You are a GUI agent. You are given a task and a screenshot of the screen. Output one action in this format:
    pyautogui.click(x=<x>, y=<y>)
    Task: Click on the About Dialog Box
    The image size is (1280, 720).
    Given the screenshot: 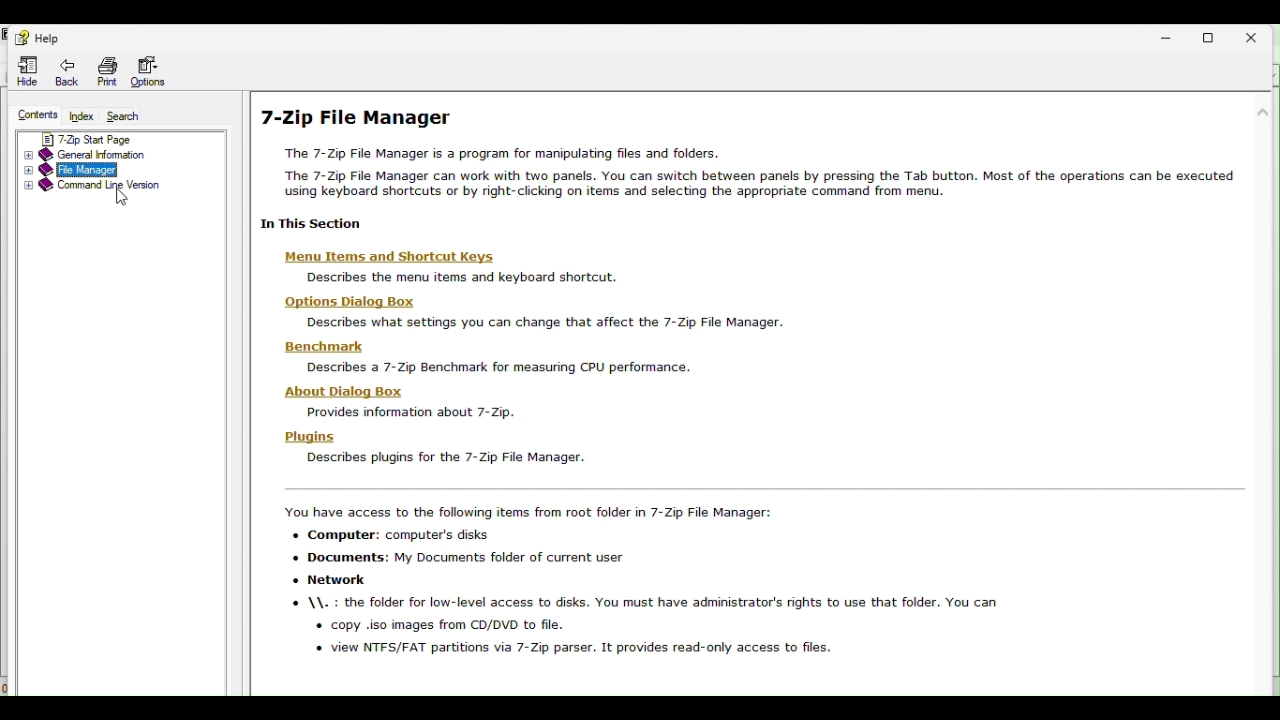 What is the action you would take?
    pyautogui.click(x=345, y=392)
    